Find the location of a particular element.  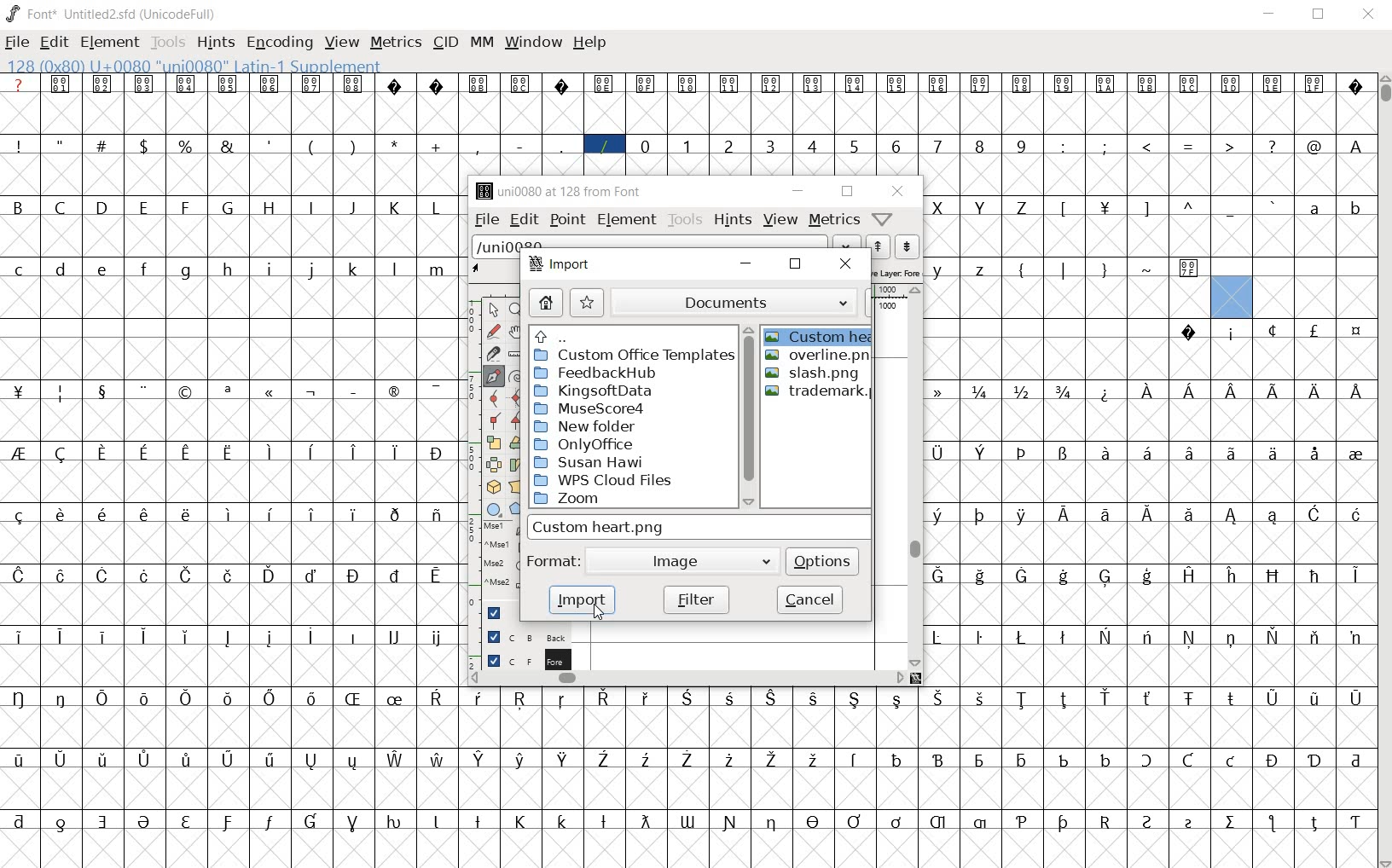

glyph is located at coordinates (981, 271).